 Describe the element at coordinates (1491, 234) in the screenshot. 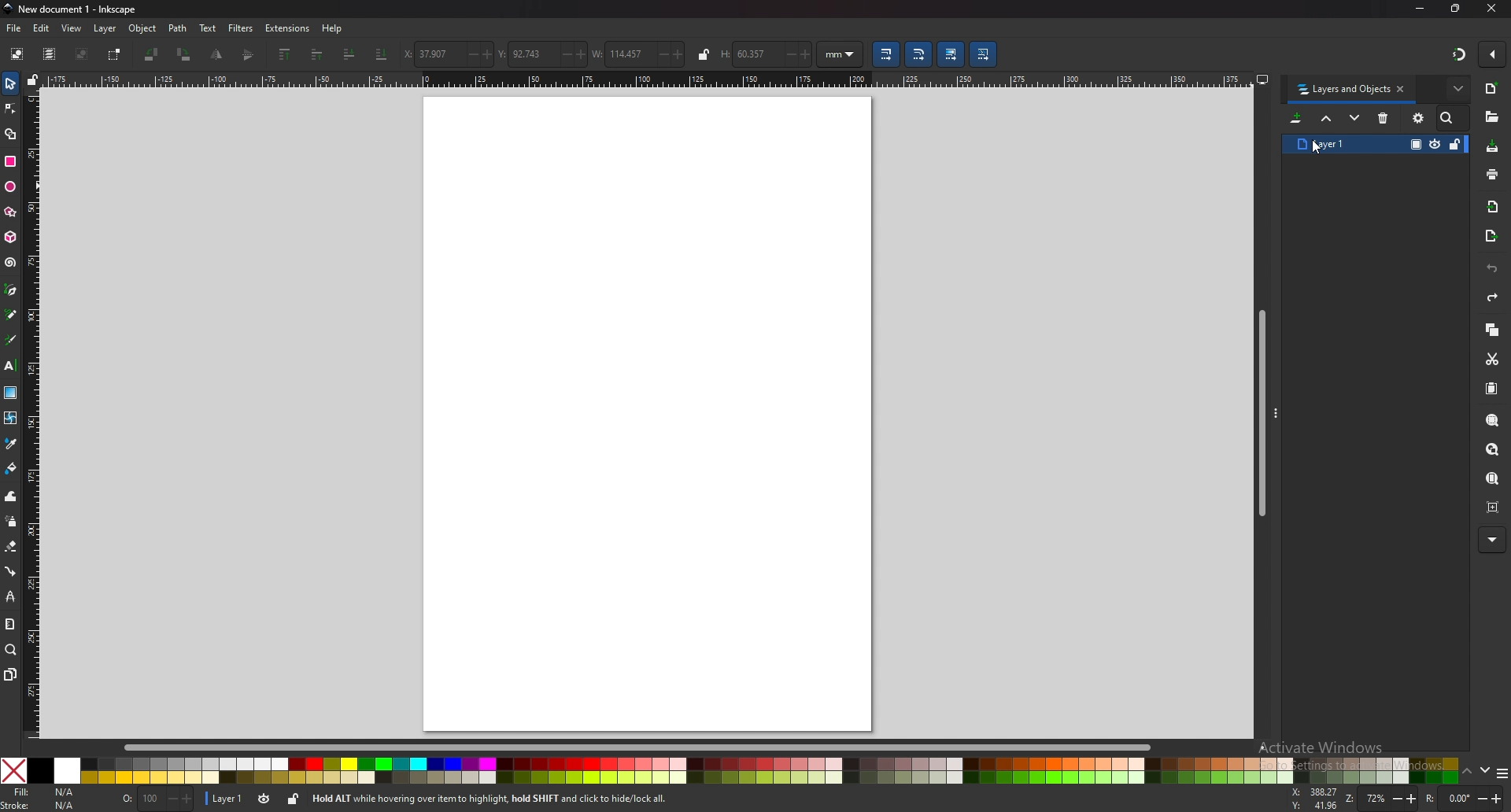

I see `export` at that location.